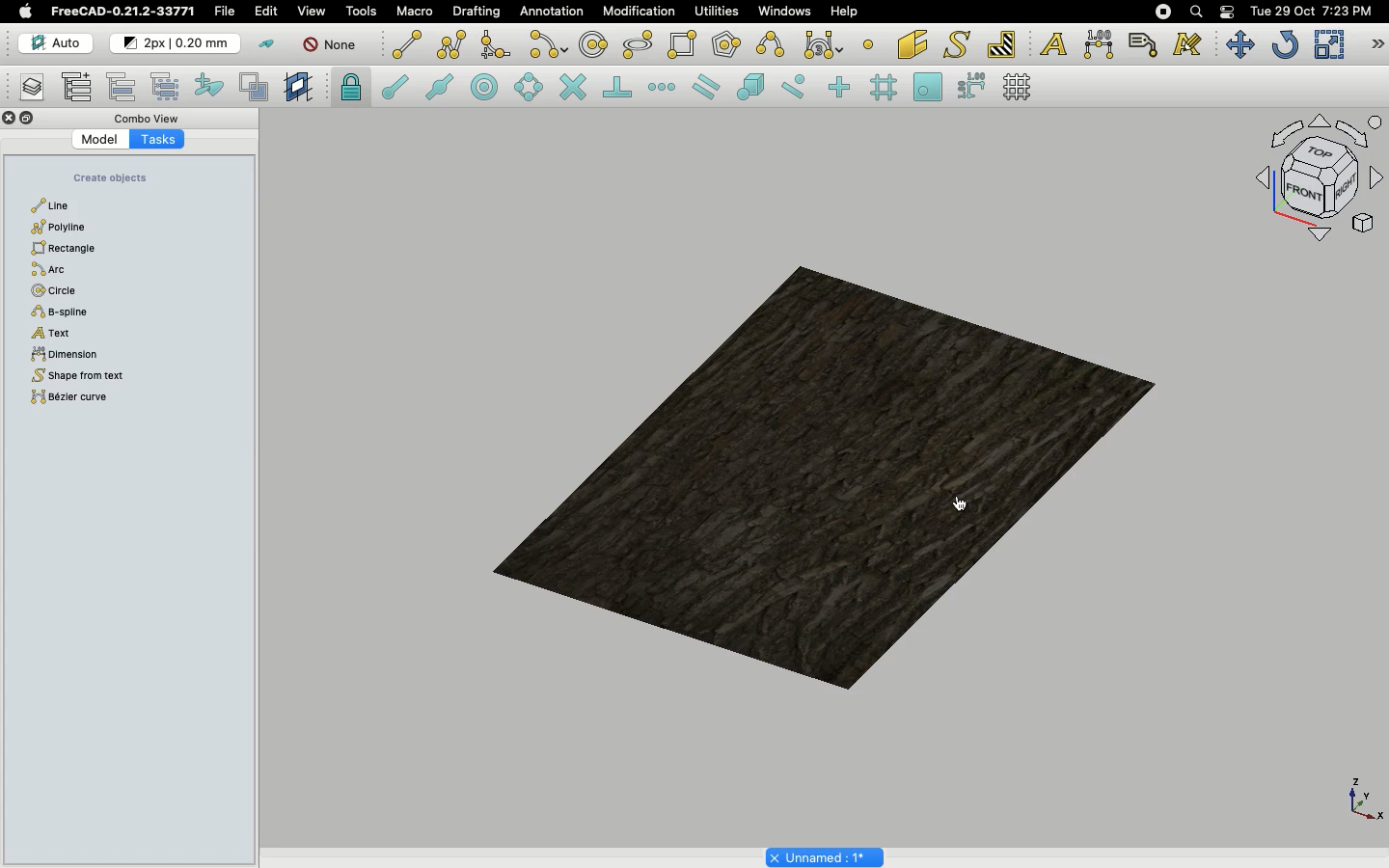 Image resolution: width=1389 pixels, height=868 pixels. Describe the element at coordinates (1239, 45) in the screenshot. I see `Move` at that location.